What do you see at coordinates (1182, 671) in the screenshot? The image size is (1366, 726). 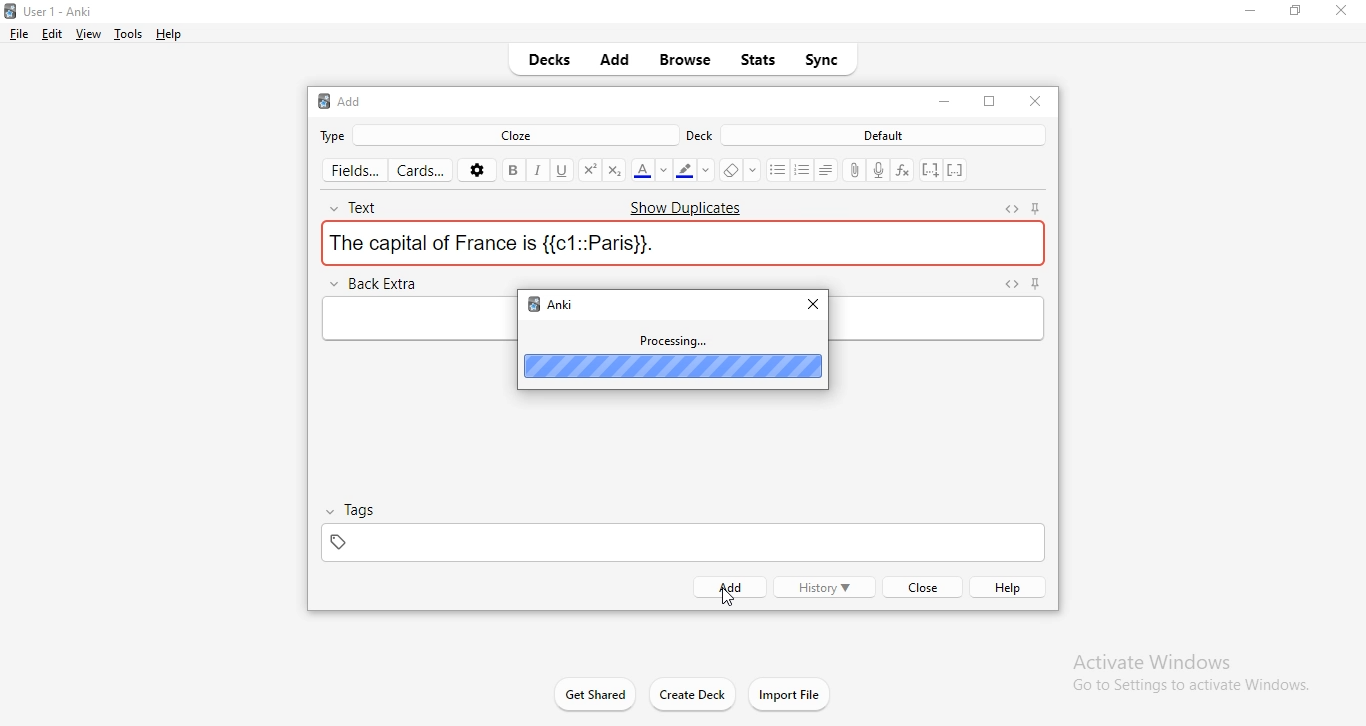 I see `Activate Windows Go to Settings to activate Windows.` at bounding box center [1182, 671].